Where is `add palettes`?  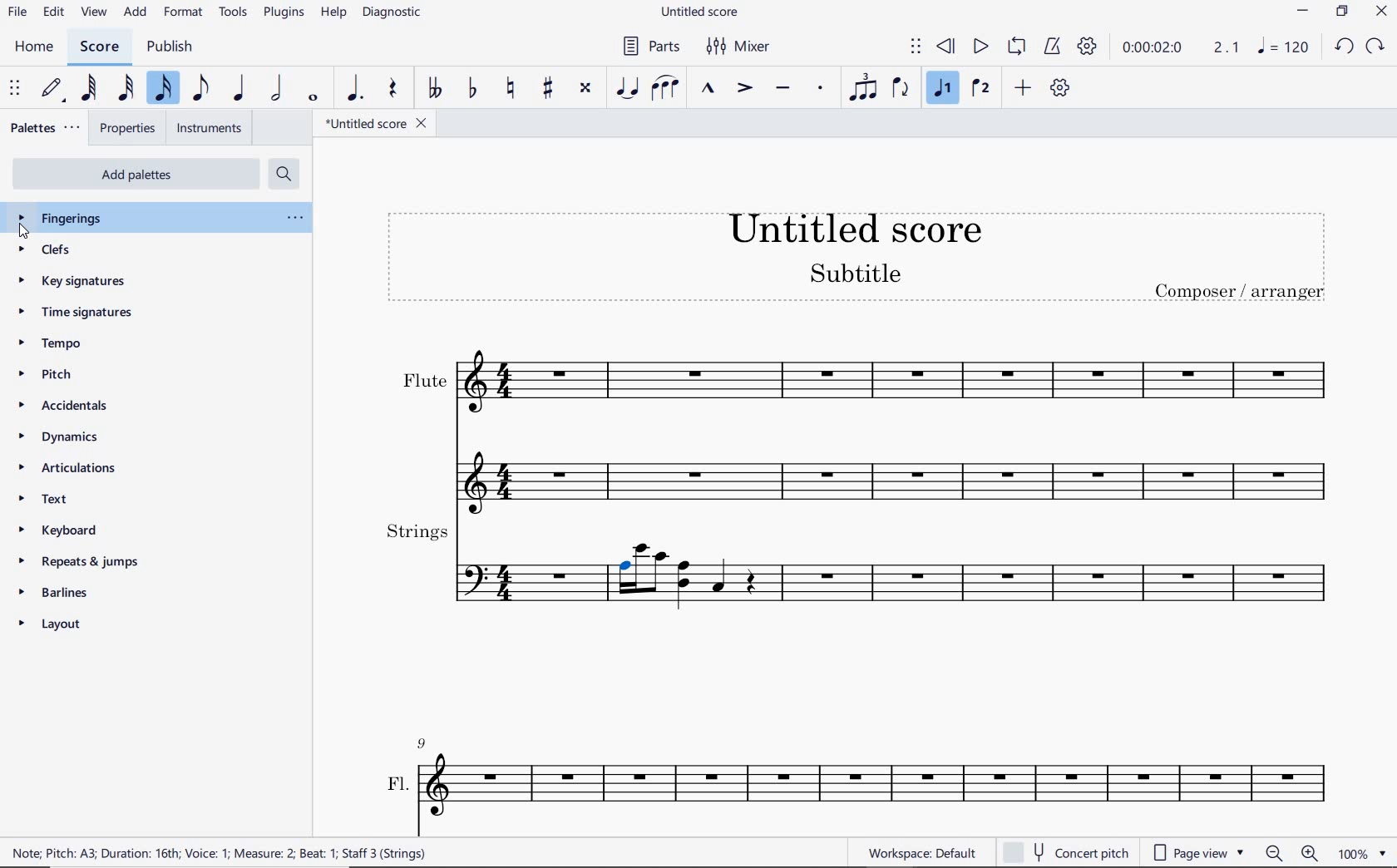 add palettes is located at coordinates (133, 173).